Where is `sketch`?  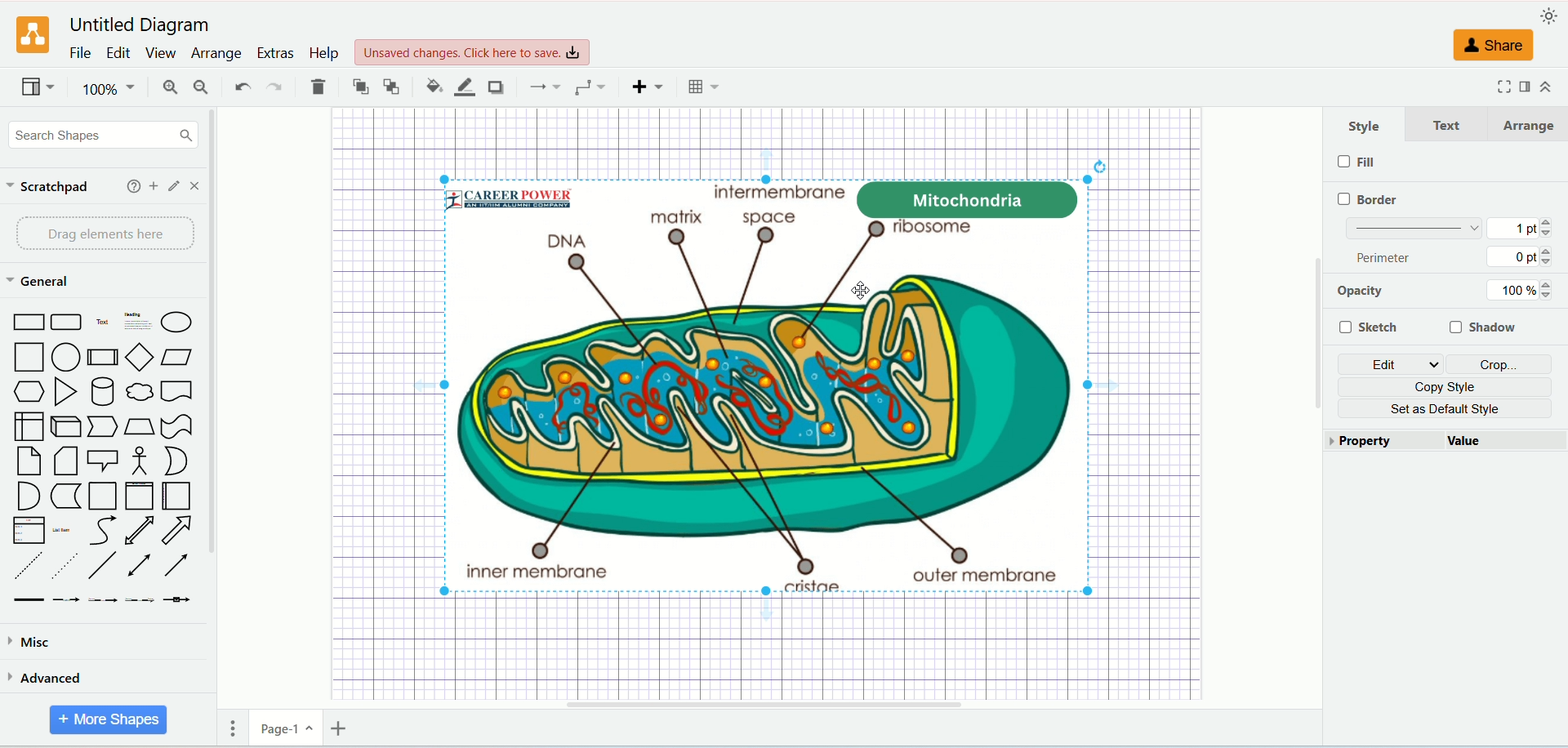
sketch is located at coordinates (1368, 325).